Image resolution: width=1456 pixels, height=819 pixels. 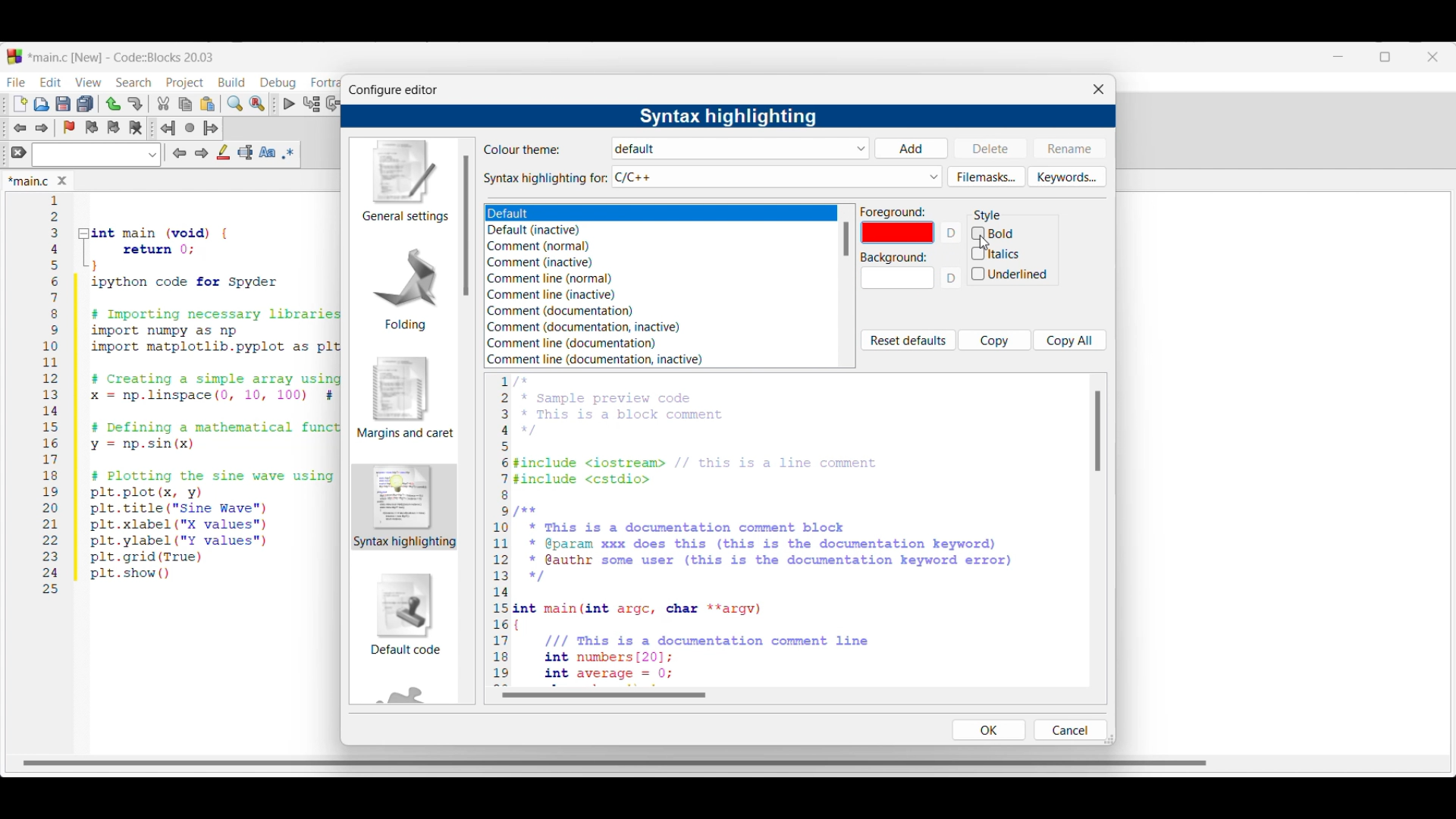 What do you see at coordinates (223, 152) in the screenshot?
I see `Highlight` at bounding box center [223, 152].